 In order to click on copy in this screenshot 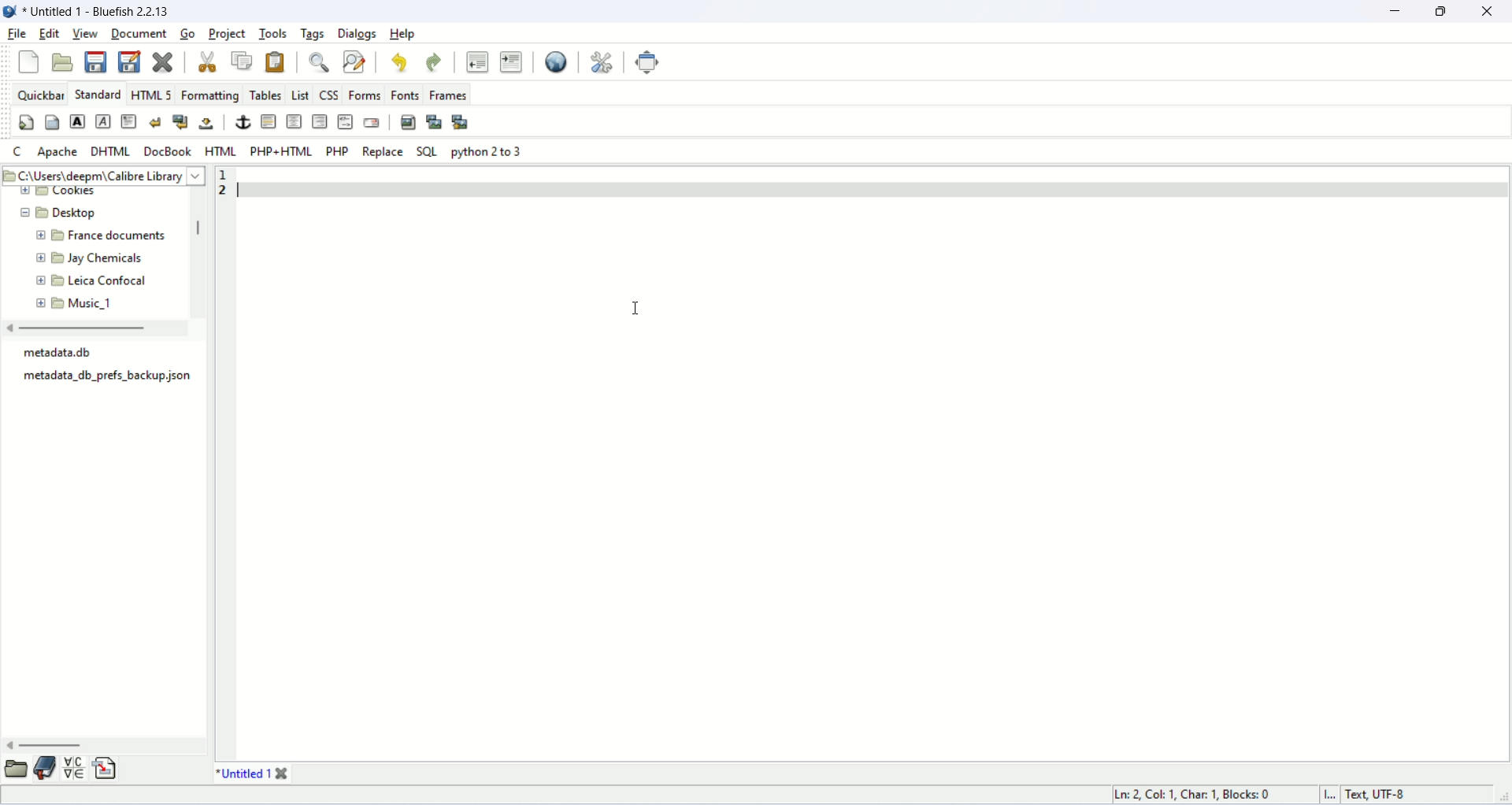, I will do `click(243, 60)`.